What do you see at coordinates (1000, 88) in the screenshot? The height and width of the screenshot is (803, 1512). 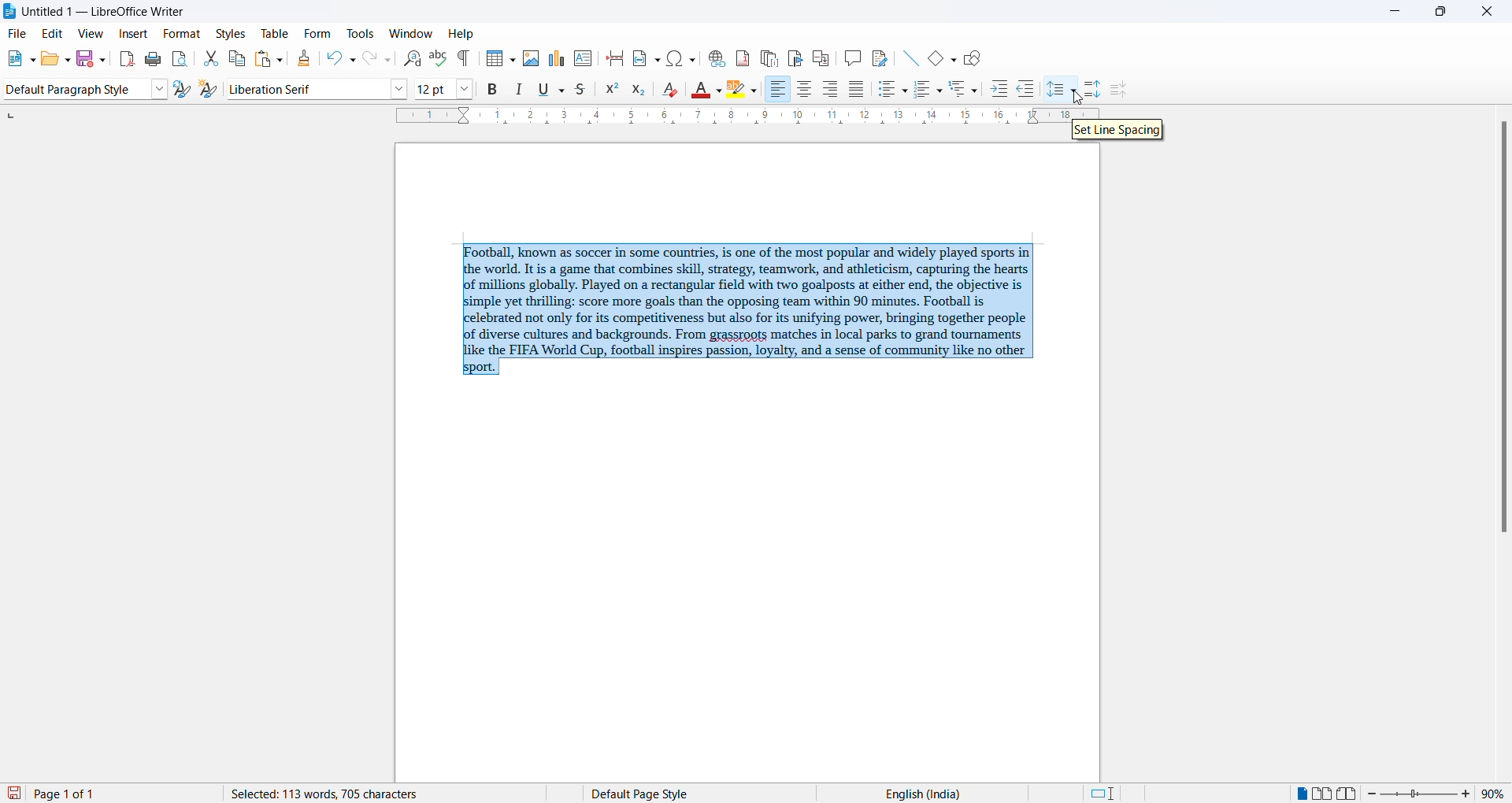 I see `increase indent` at bounding box center [1000, 88].